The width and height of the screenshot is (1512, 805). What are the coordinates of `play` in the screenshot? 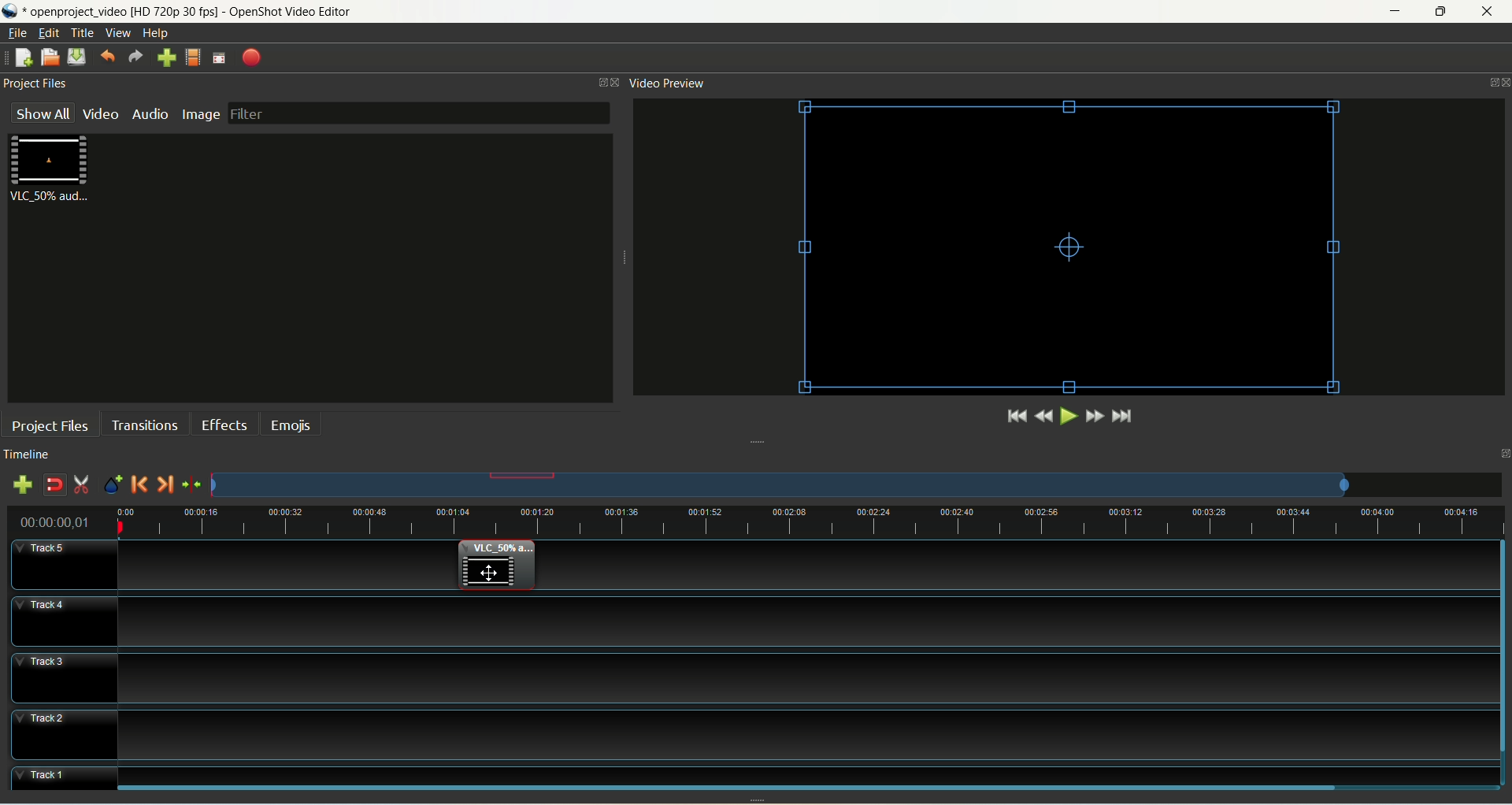 It's located at (1067, 416).